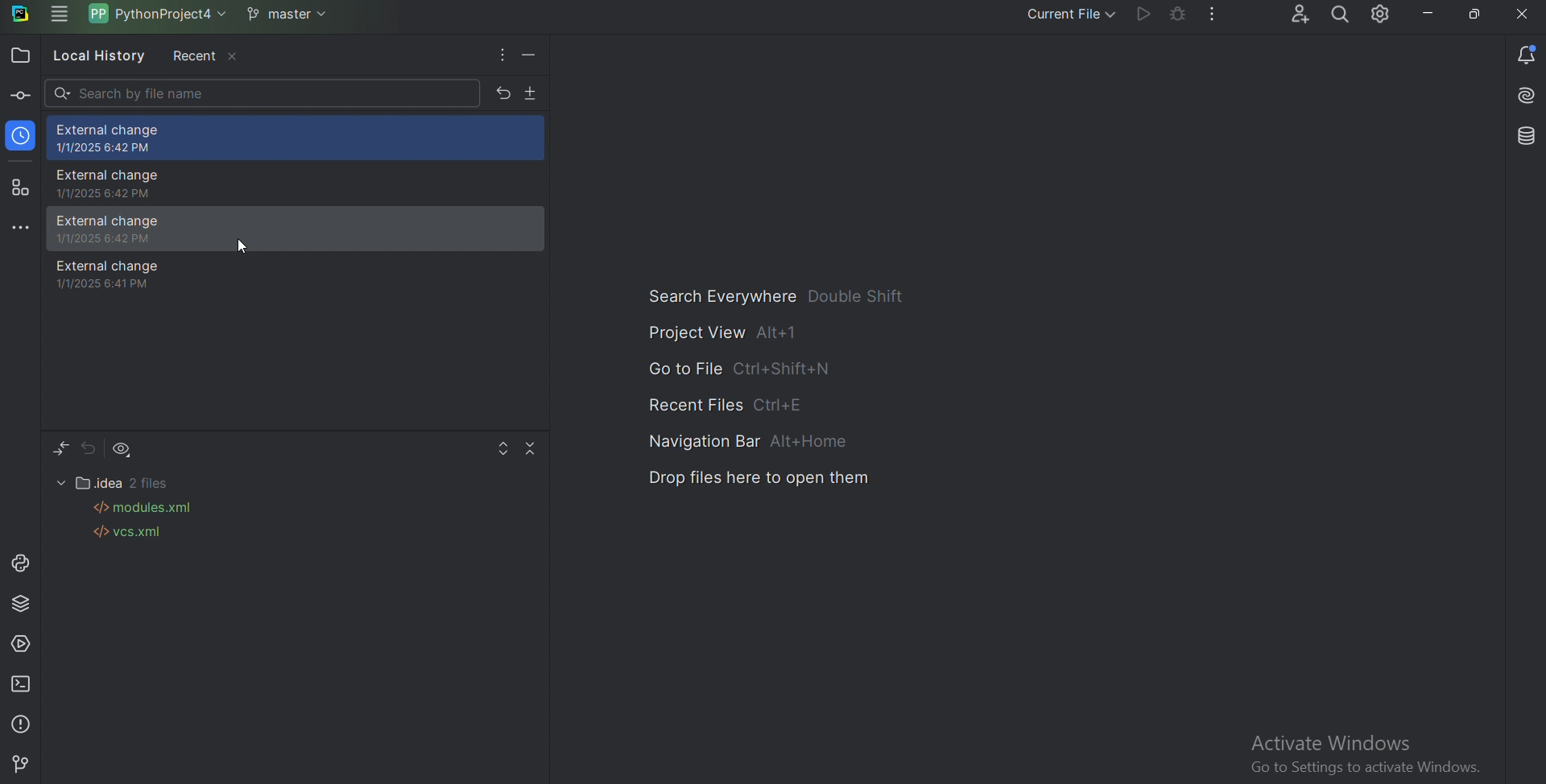 The height and width of the screenshot is (784, 1546). Describe the element at coordinates (97, 56) in the screenshot. I see `Local history` at that location.